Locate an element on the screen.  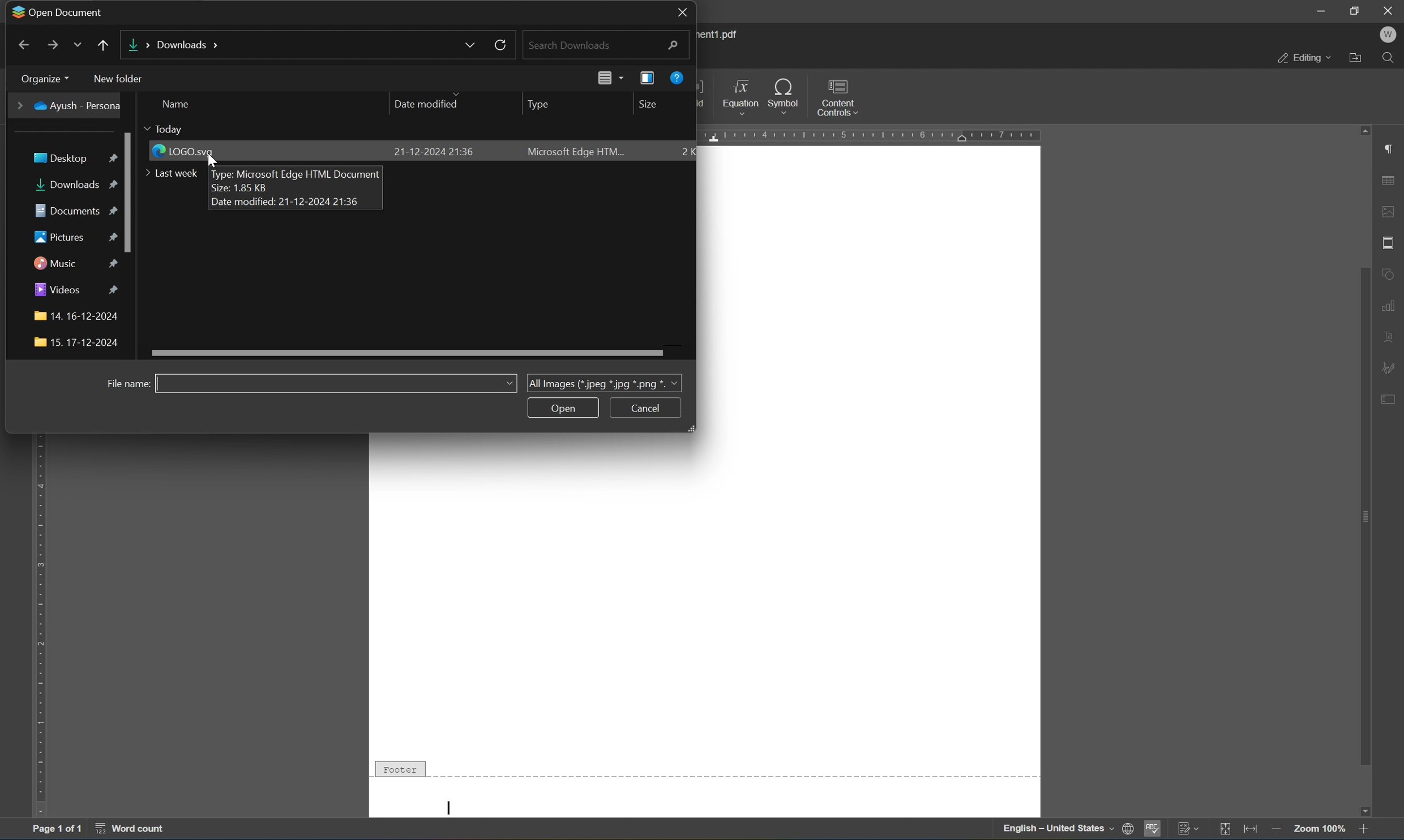
image settings is located at coordinates (1389, 209).